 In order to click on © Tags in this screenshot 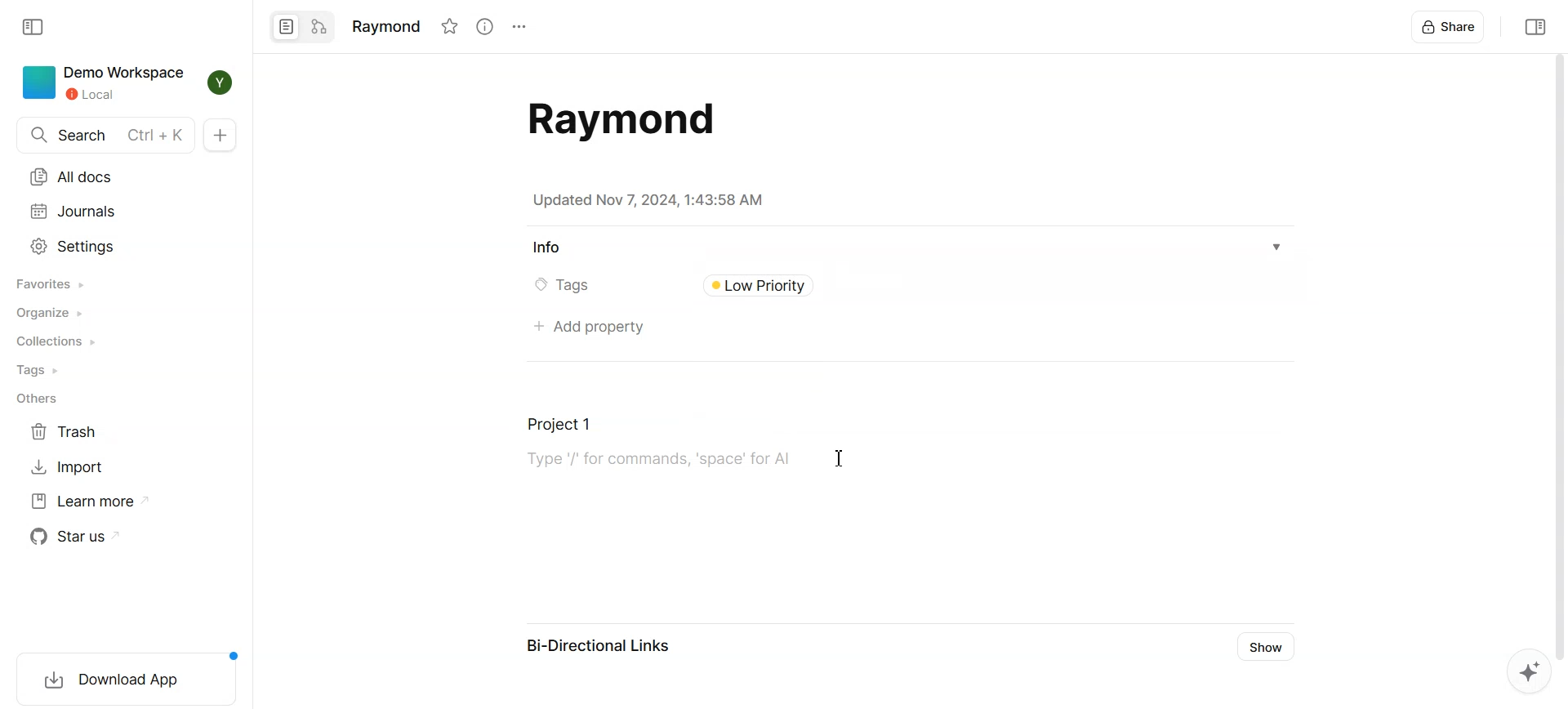, I will do `click(573, 286)`.